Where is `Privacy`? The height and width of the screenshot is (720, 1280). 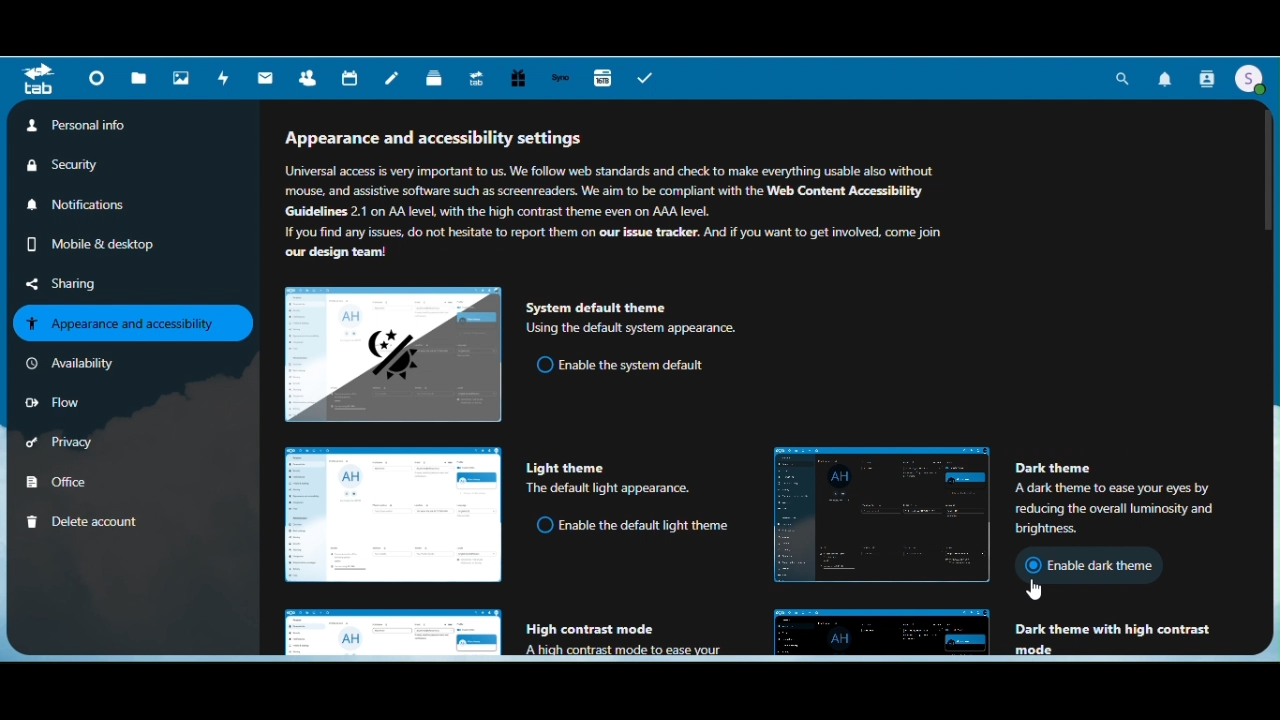
Privacy is located at coordinates (78, 440).